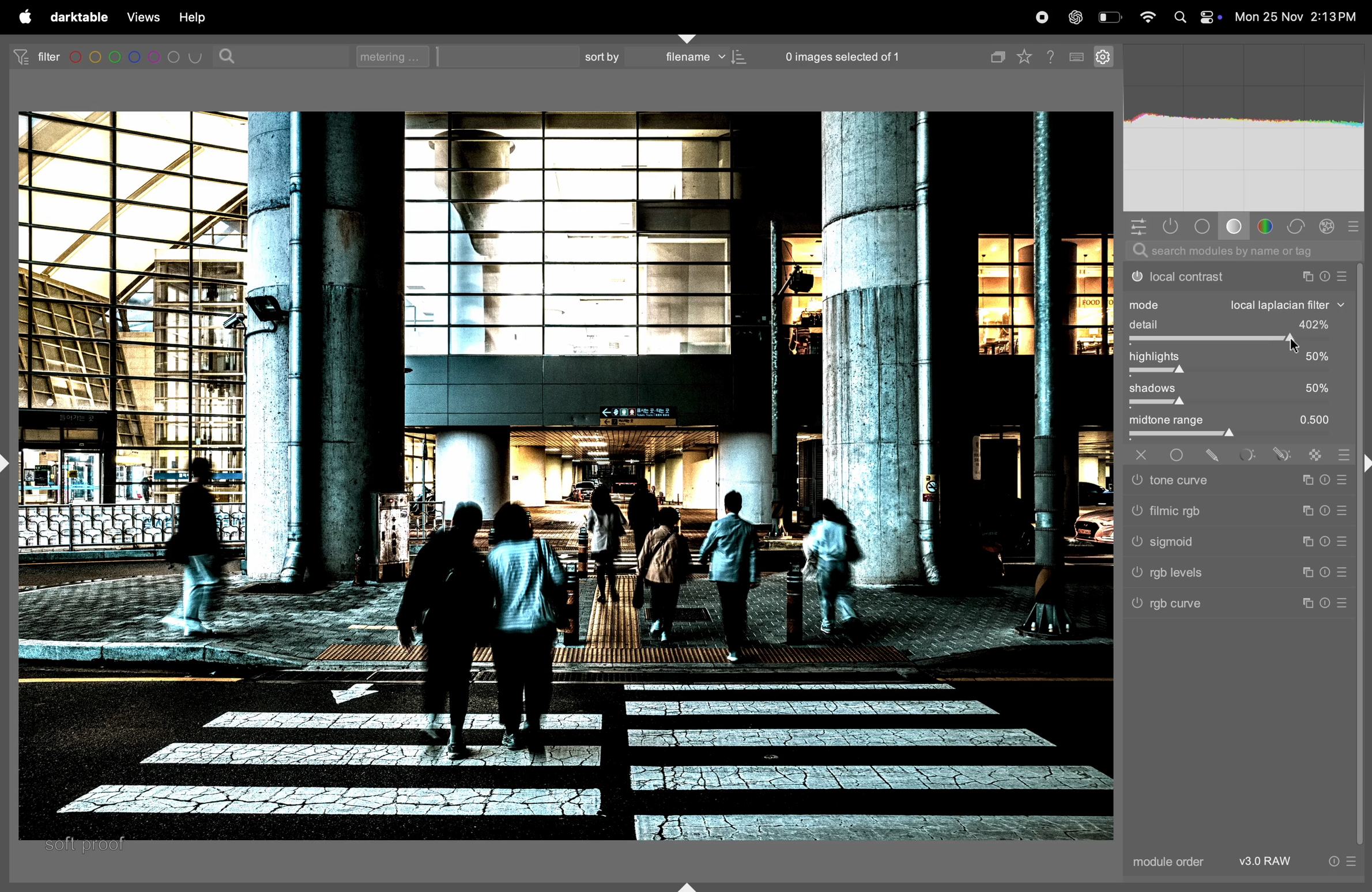 This screenshot has height=892, width=1372. What do you see at coordinates (1352, 860) in the screenshot?
I see `preset` at bounding box center [1352, 860].